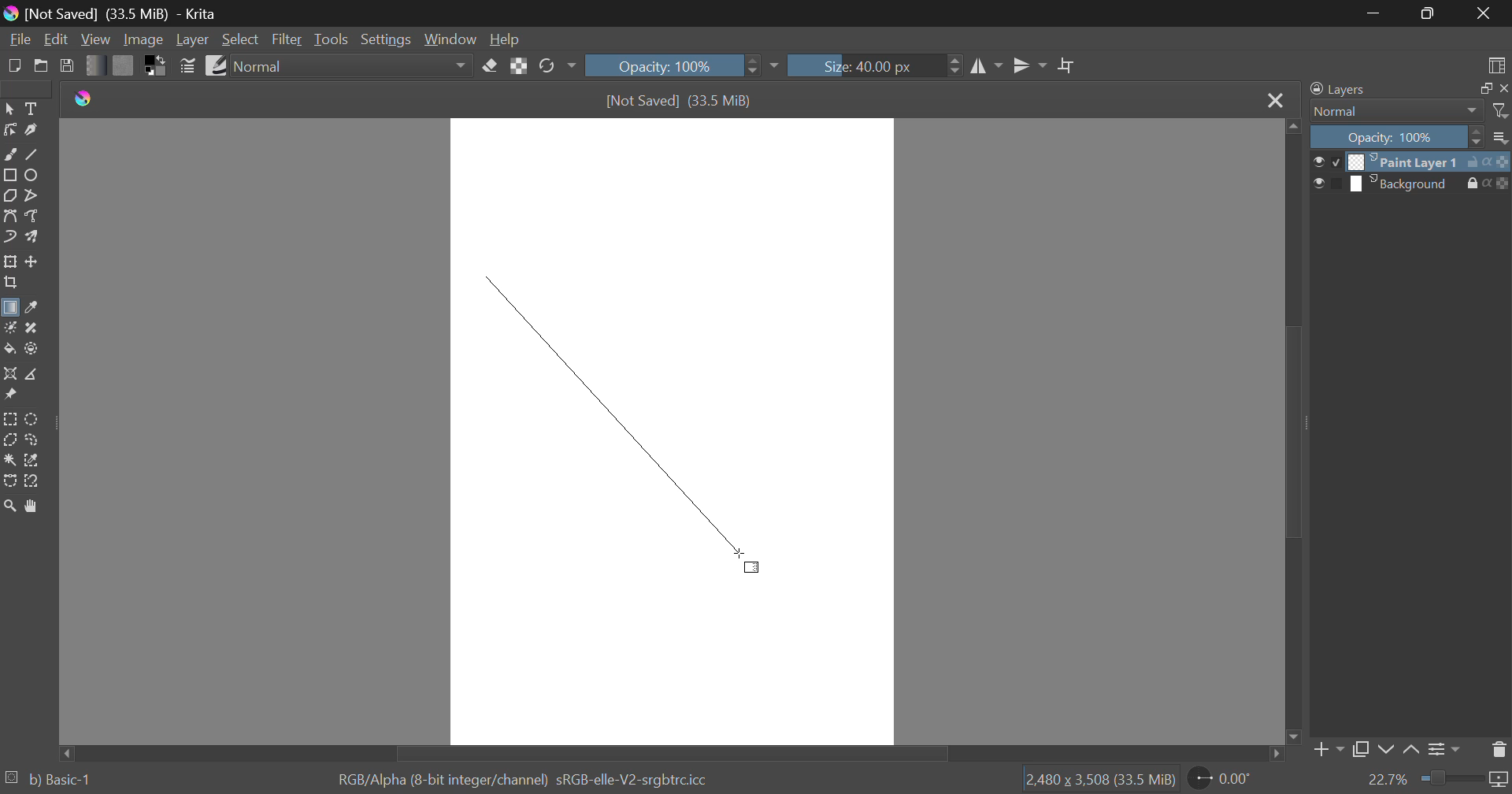 The width and height of the screenshot is (1512, 794). I want to click on Minimize, so click(1430, 15).